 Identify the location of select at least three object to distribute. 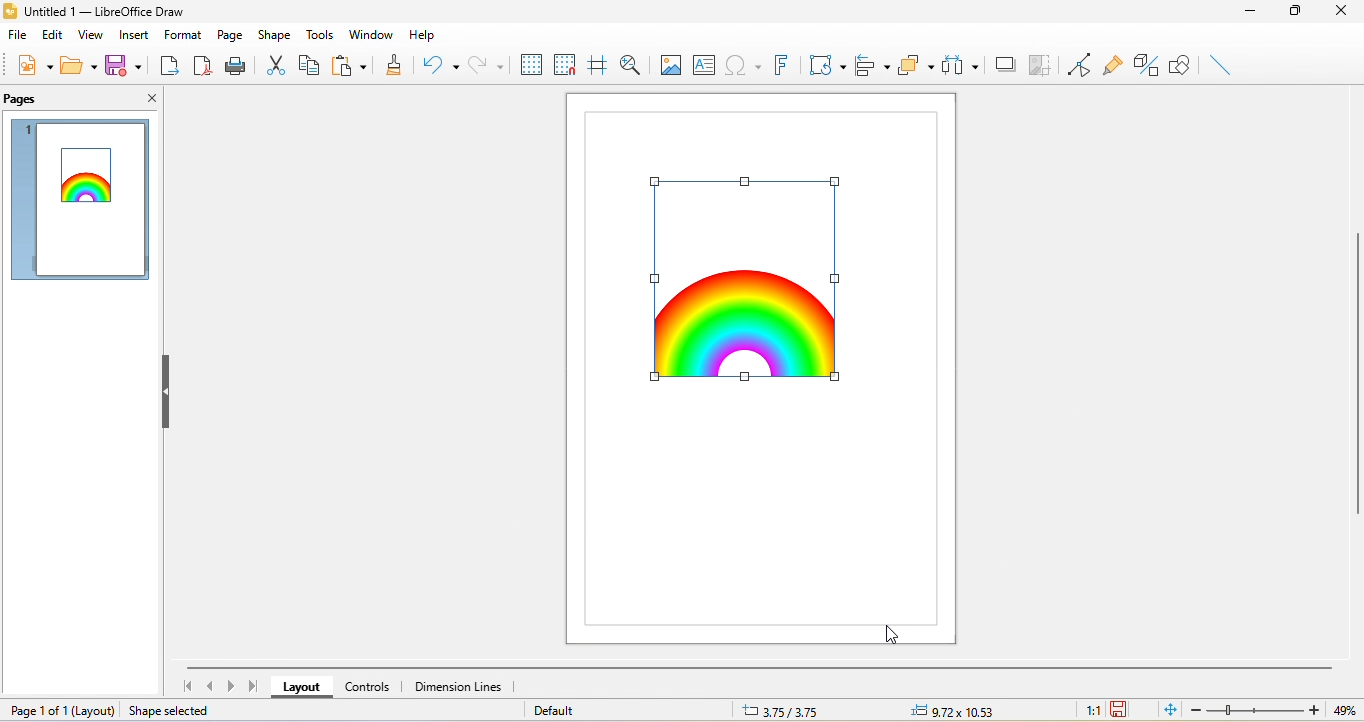
(962, 66).